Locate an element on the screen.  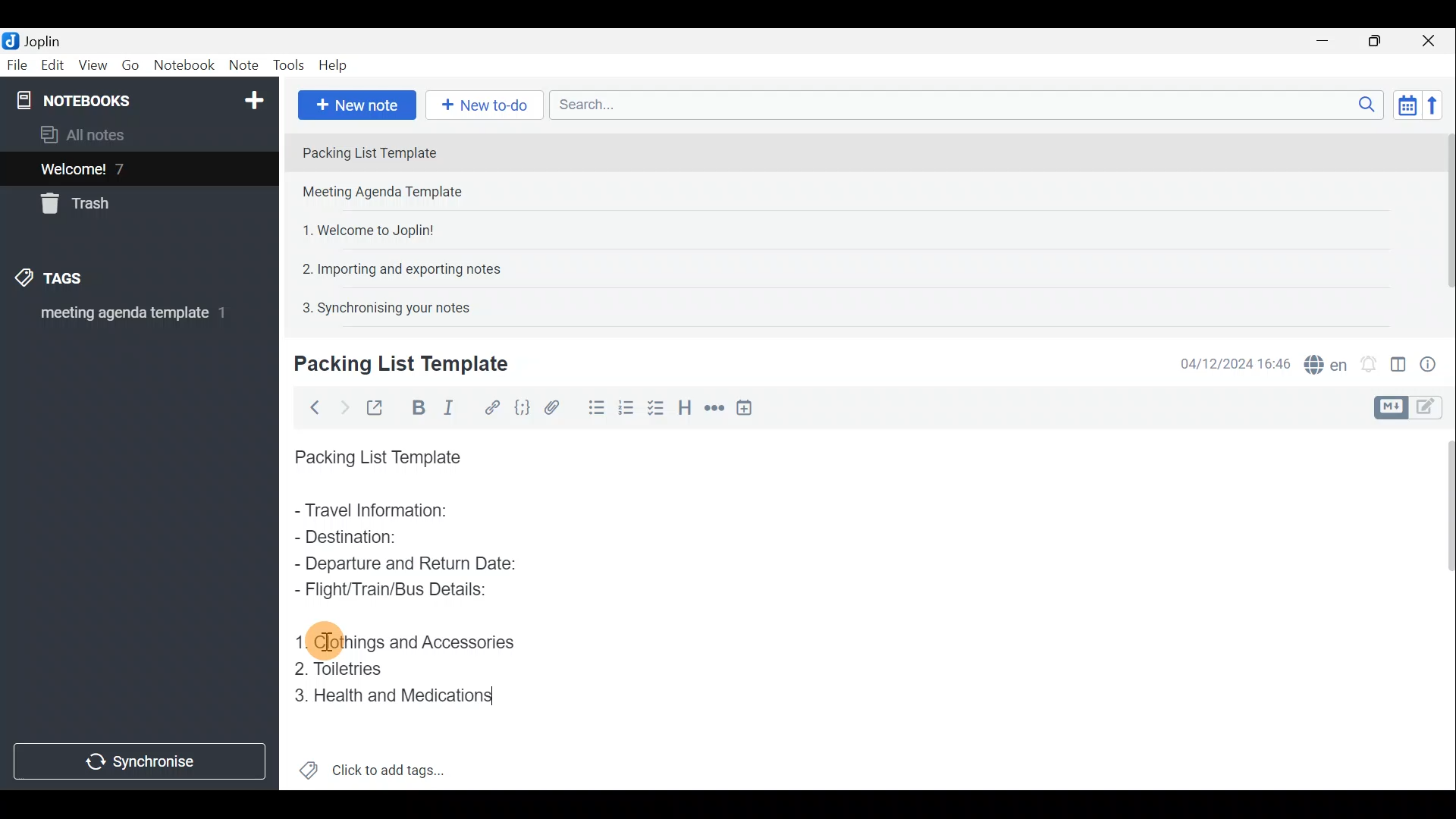
Notebook is located at coordinates (137, 99).